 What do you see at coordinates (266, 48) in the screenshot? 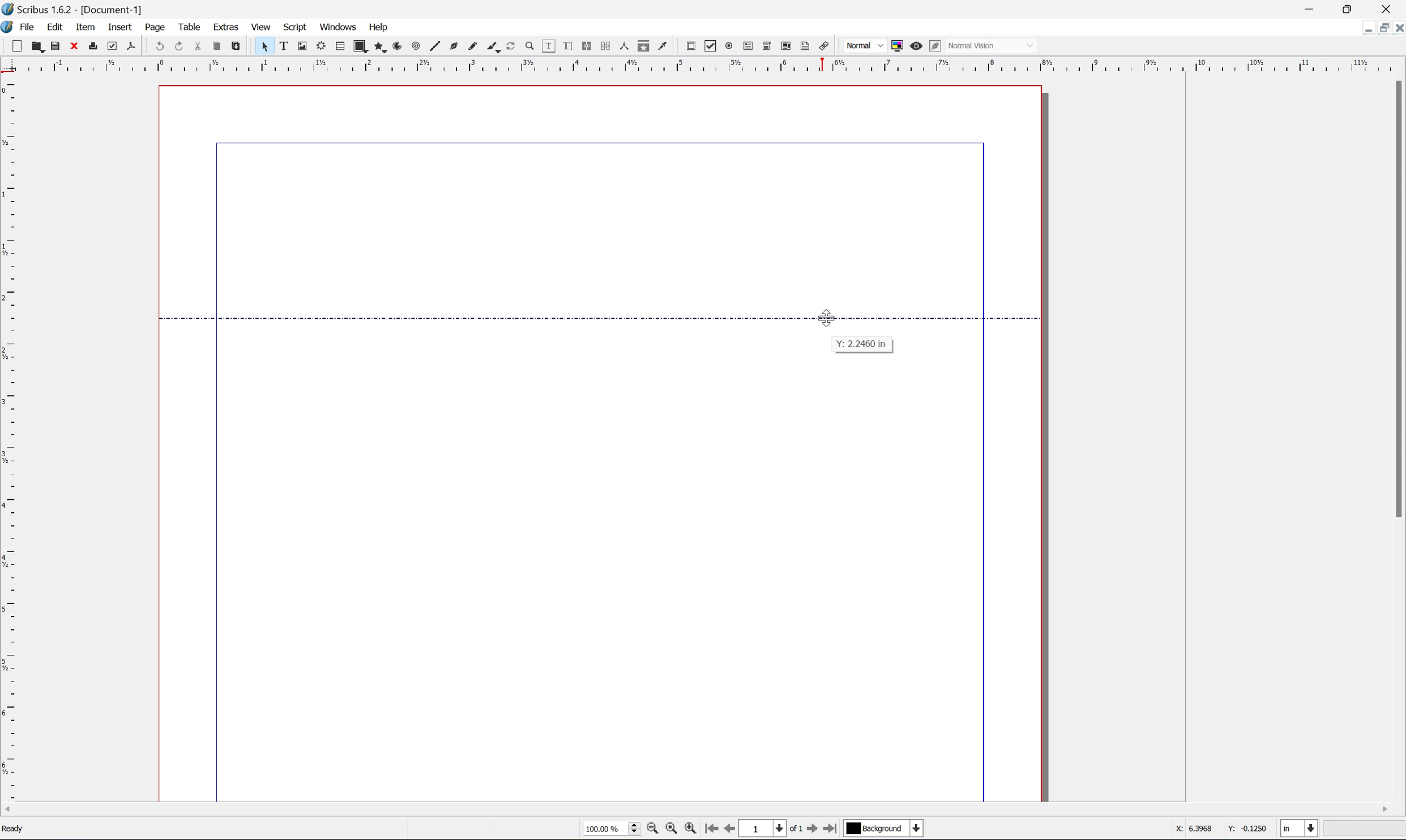
I see `select frame` at bounding box center [266, 48].